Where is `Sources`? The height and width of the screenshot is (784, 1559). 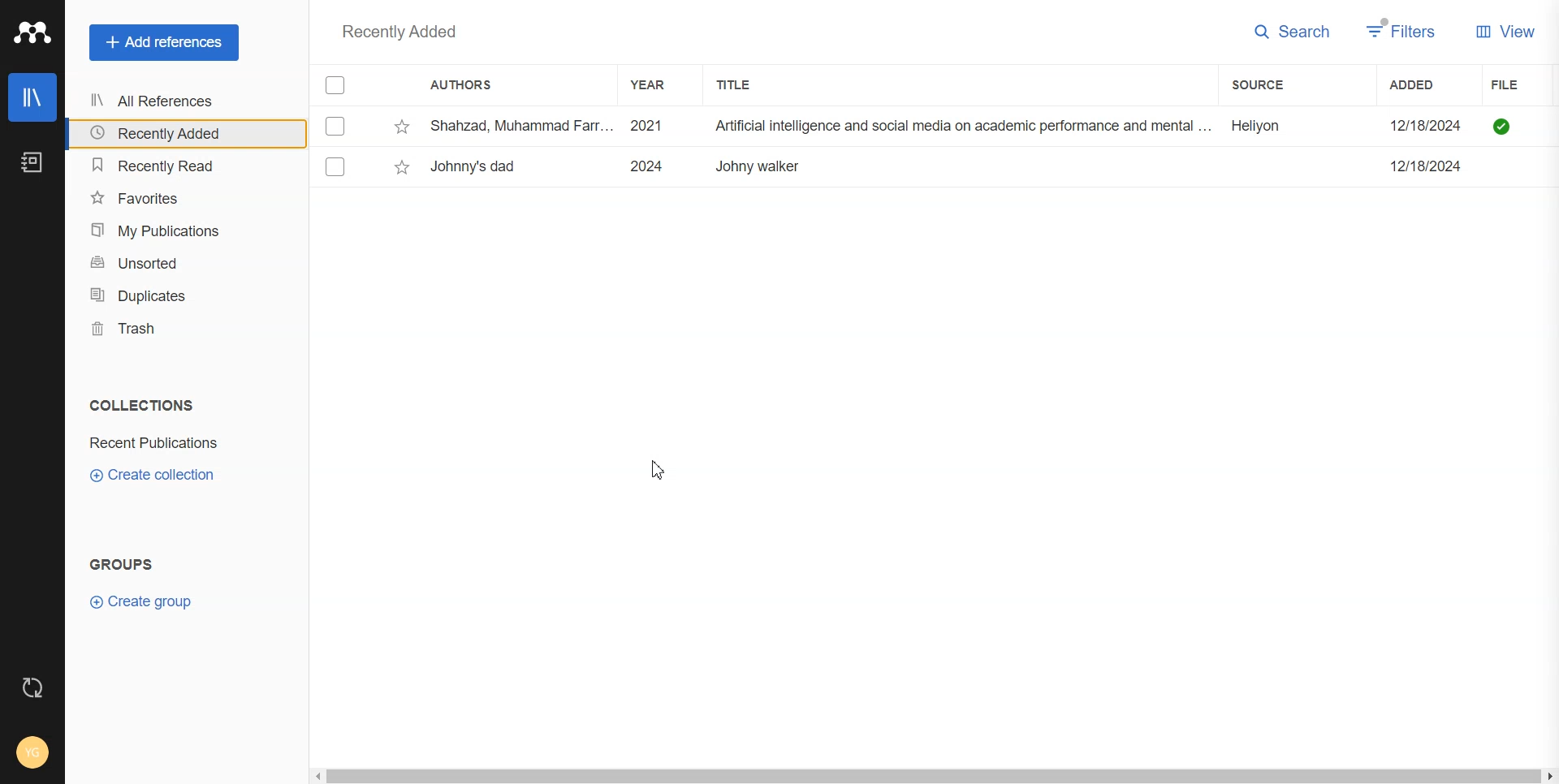 Sources is located at coordinates (1276, 84).